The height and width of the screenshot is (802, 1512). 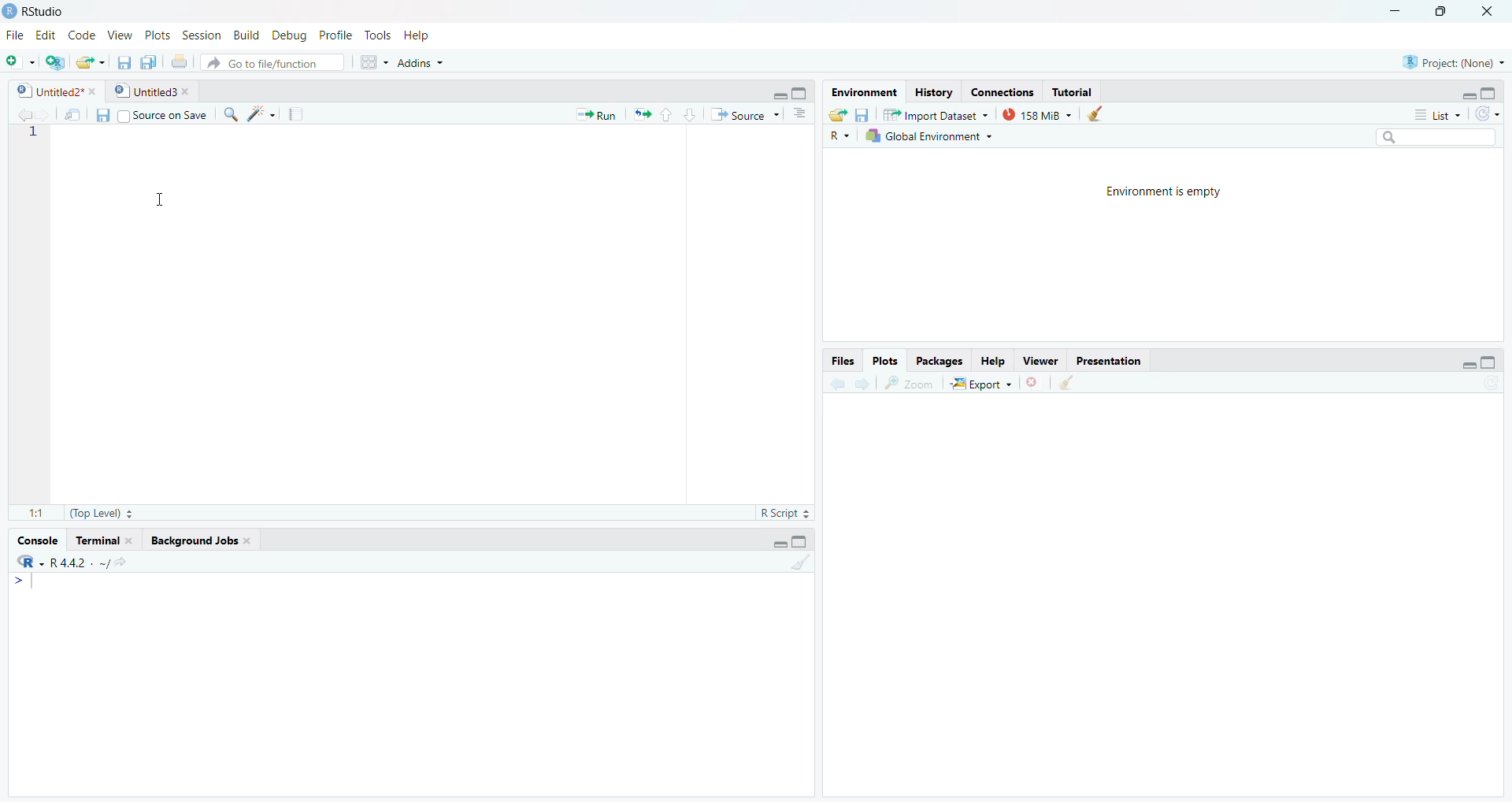 What do you see at coordinates (162, 139) in the screenshot?
I see `text cursor` at bounding box center [162, 139].